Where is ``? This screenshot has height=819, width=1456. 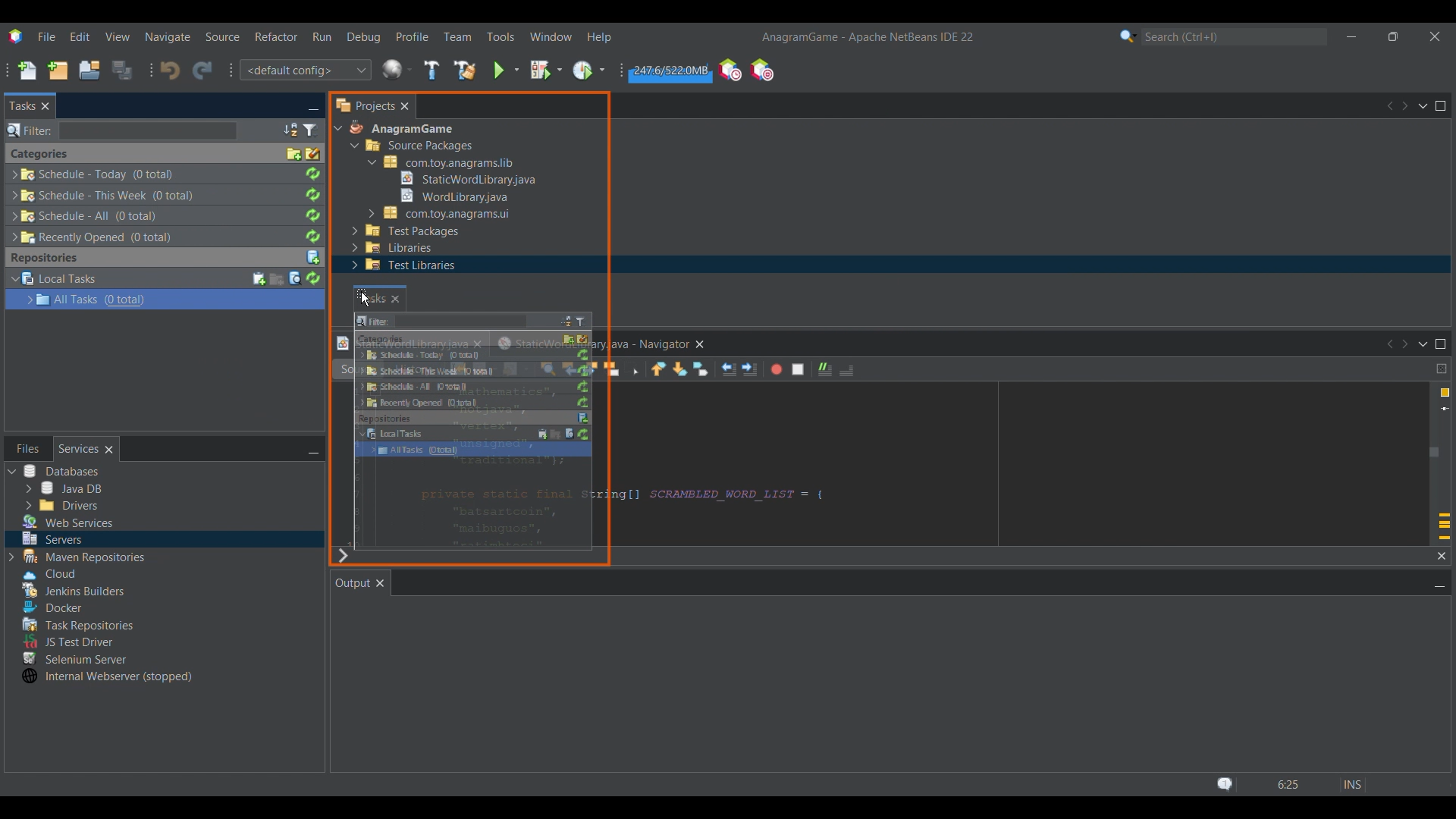  is located at coordinates (60, 504).